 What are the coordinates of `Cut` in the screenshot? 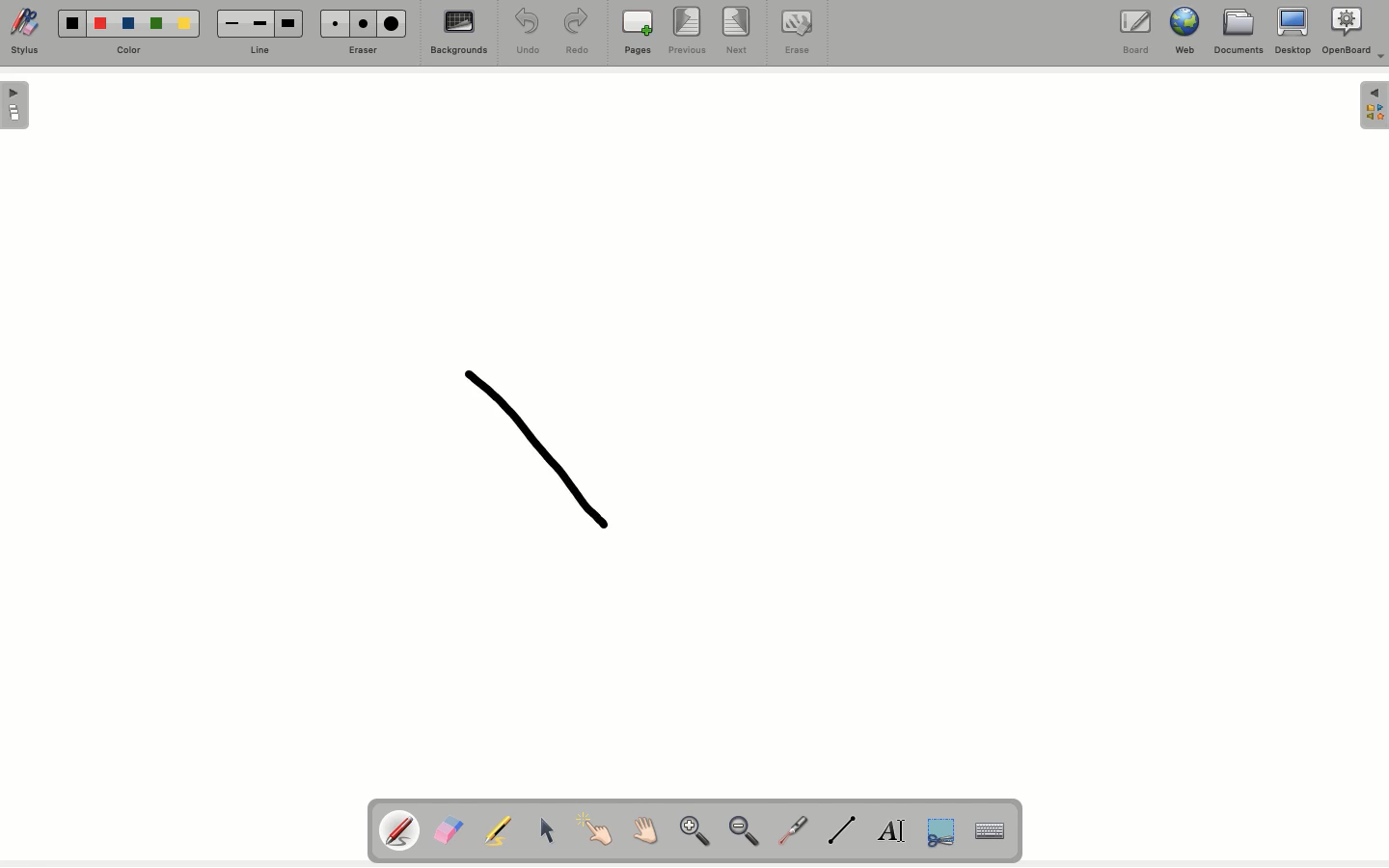 It's located at (940, 833).